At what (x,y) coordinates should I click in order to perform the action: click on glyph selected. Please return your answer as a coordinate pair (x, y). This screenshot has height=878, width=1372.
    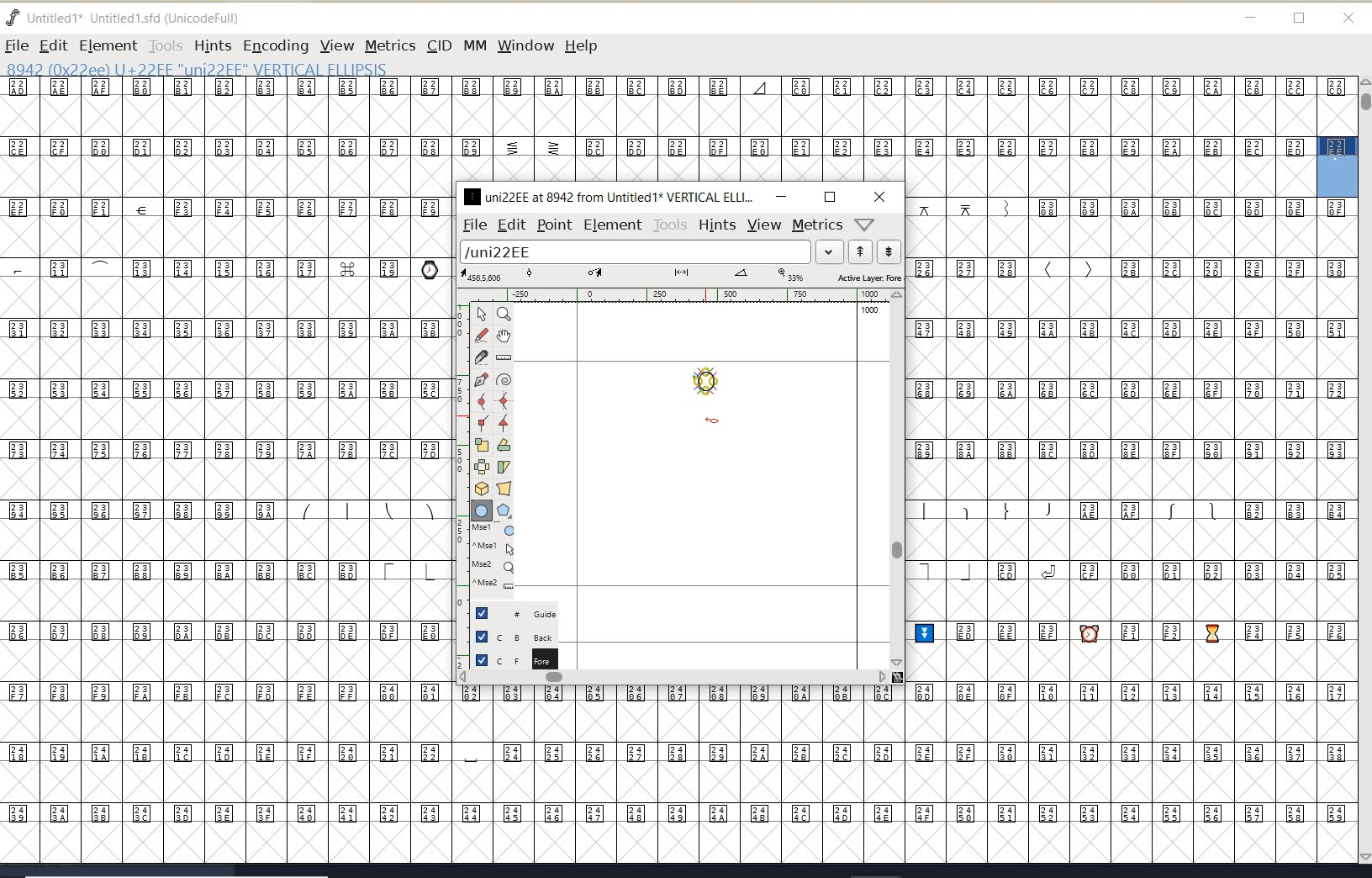
    Looking at the image, I should click on (1338, 167).